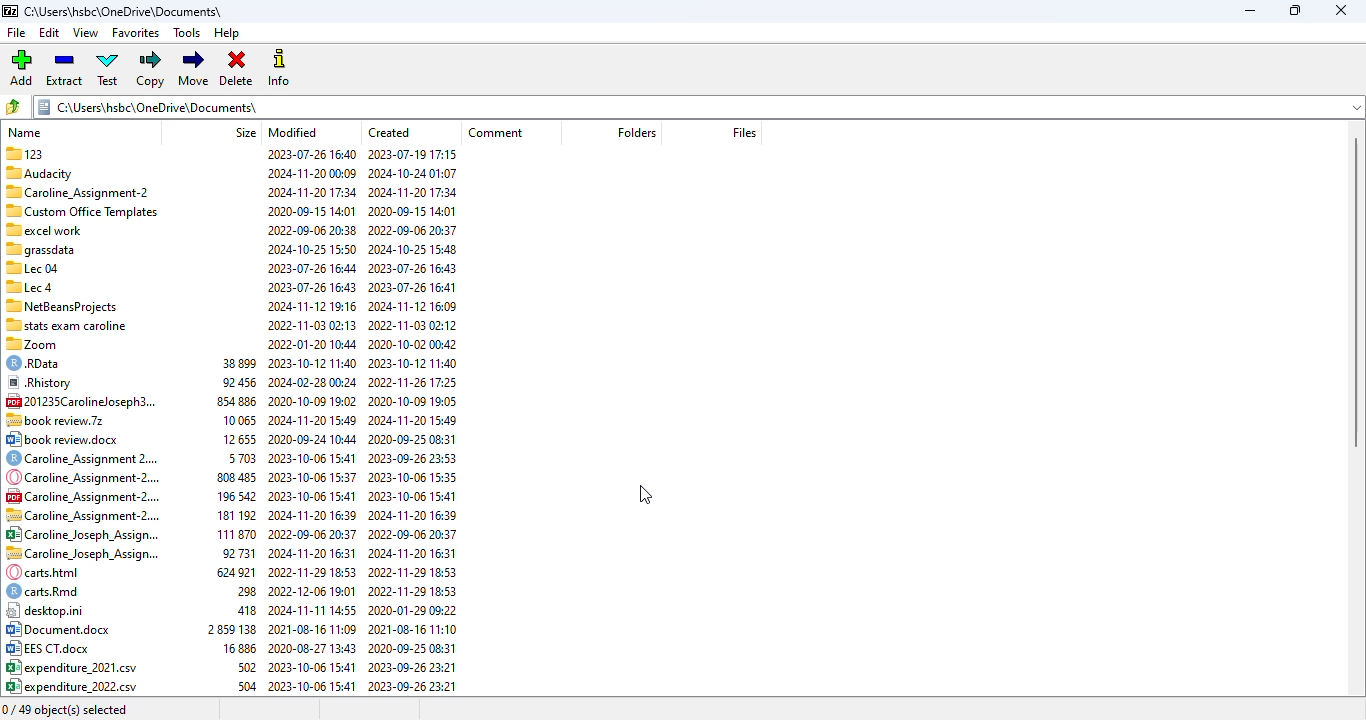  Describe the element at coordinates (1356, 292) in the screenshot. I see `vertical scroll bar` at that location.